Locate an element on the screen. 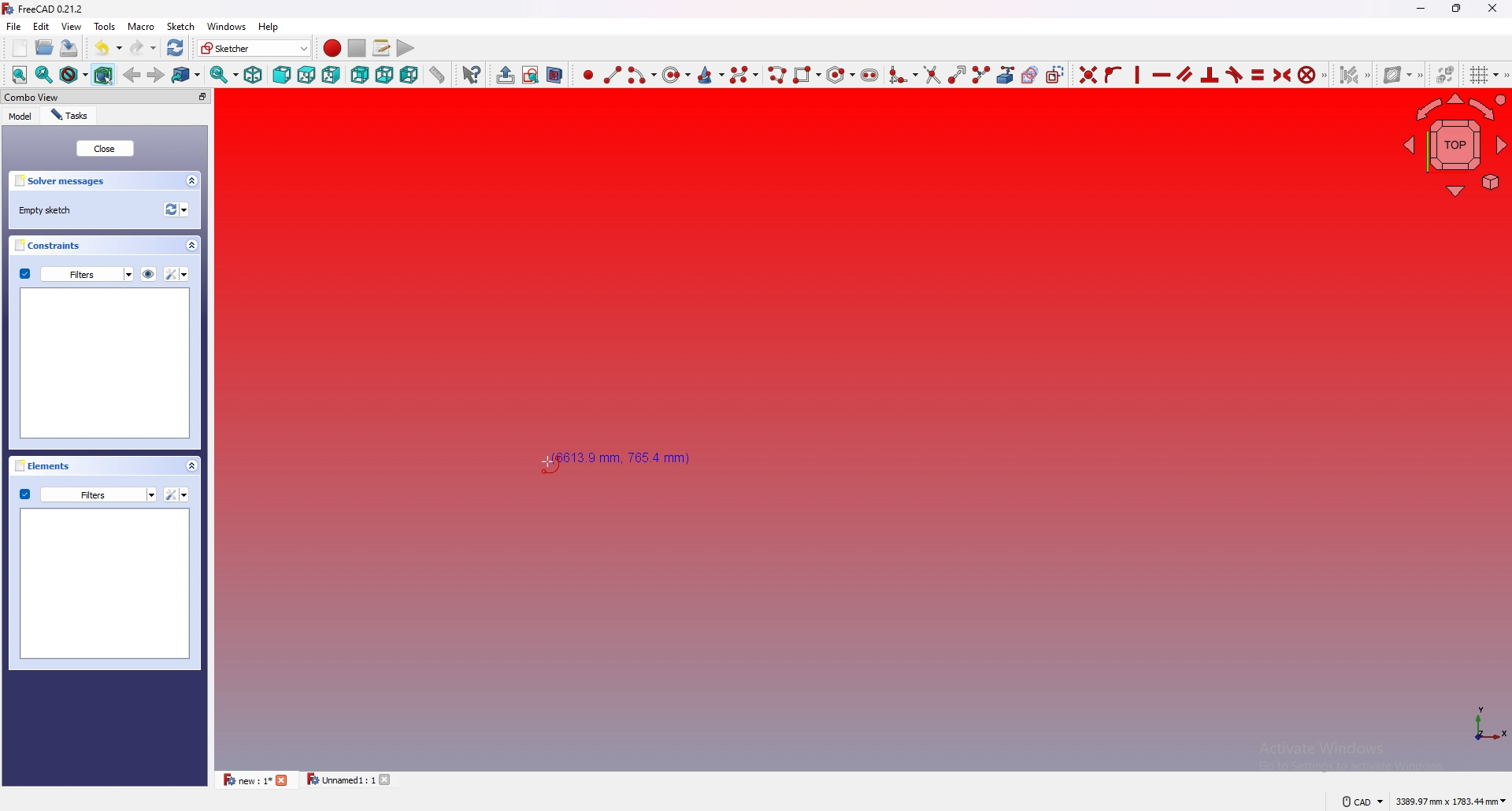 The height and width of the screenshot is (811, 1512). draw style is located at coordinates (73, 74).